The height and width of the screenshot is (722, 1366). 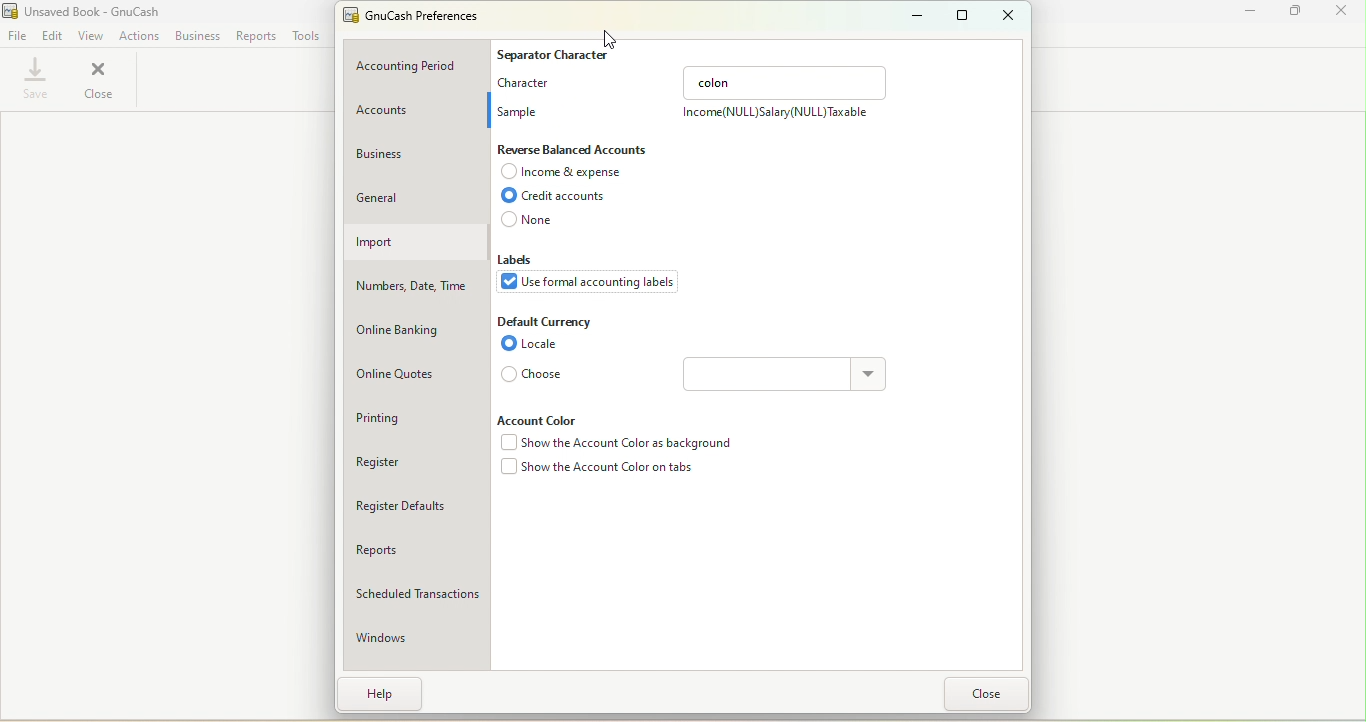 I want to click on Income and expense, so click(x=566, y=174).